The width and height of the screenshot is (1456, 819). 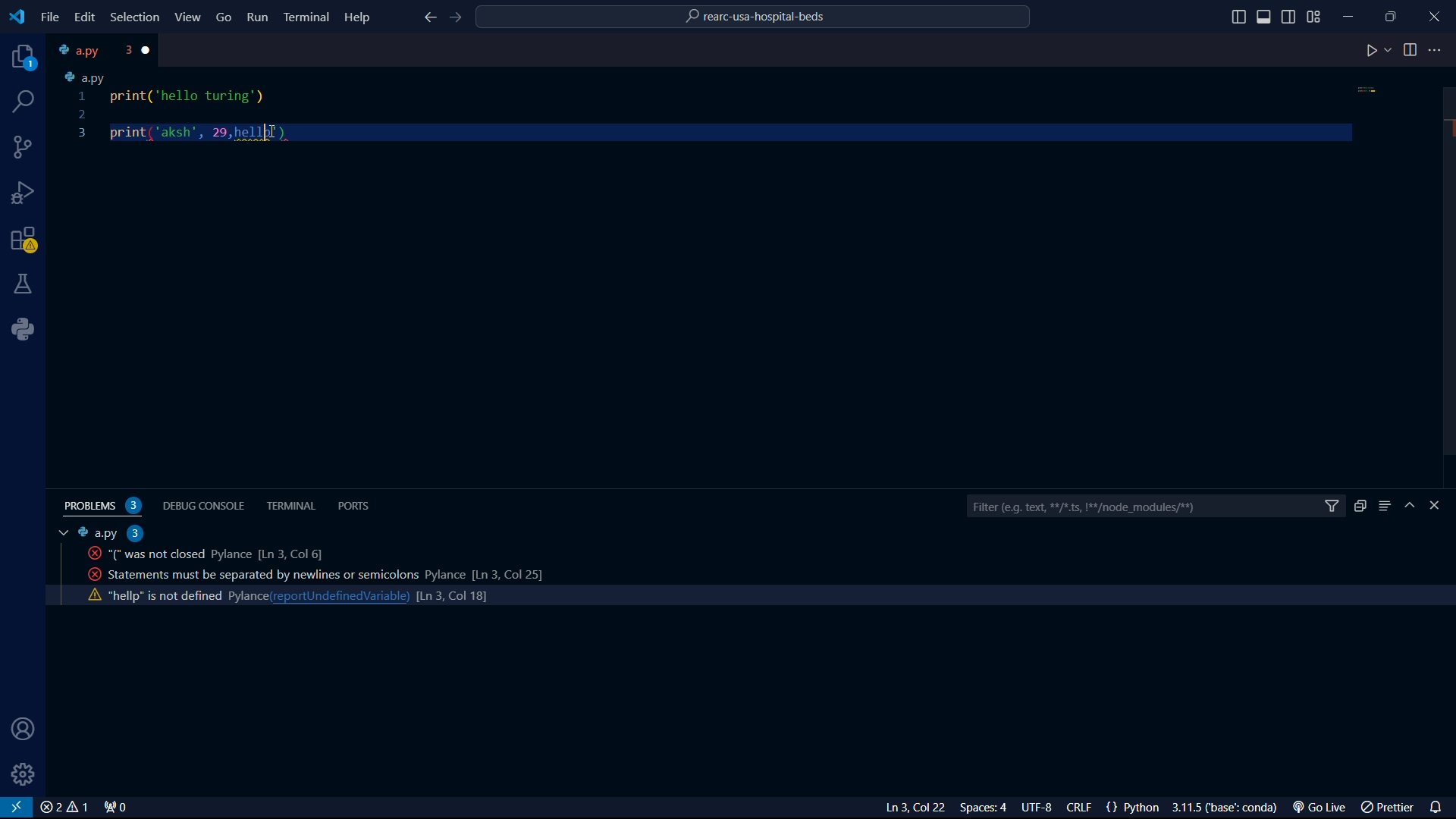 I want to click on maximize, so click(x=1393, y=16).